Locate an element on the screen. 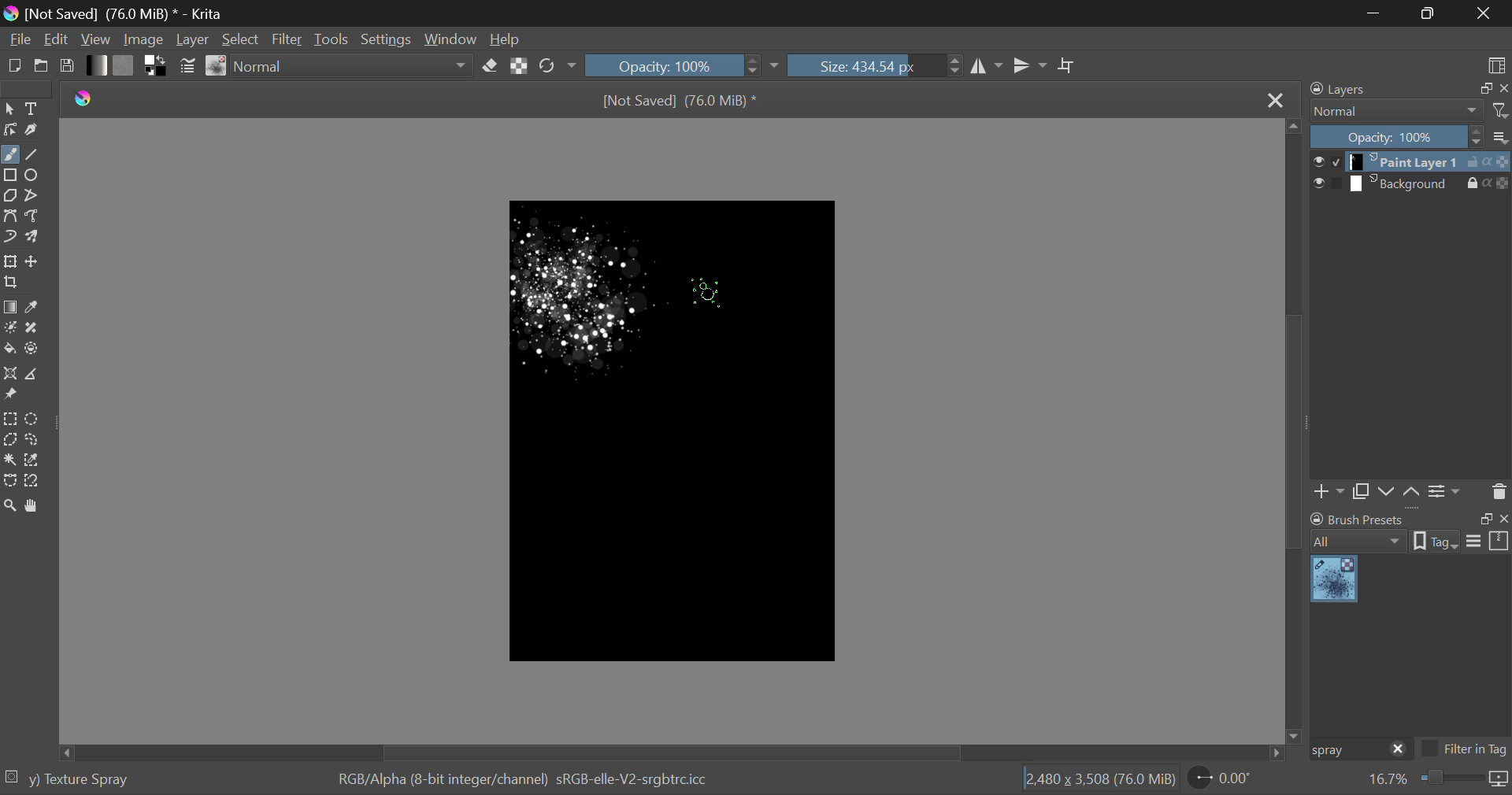 The image size is (1512, 795). Tools is located at coordinates (334, 39).